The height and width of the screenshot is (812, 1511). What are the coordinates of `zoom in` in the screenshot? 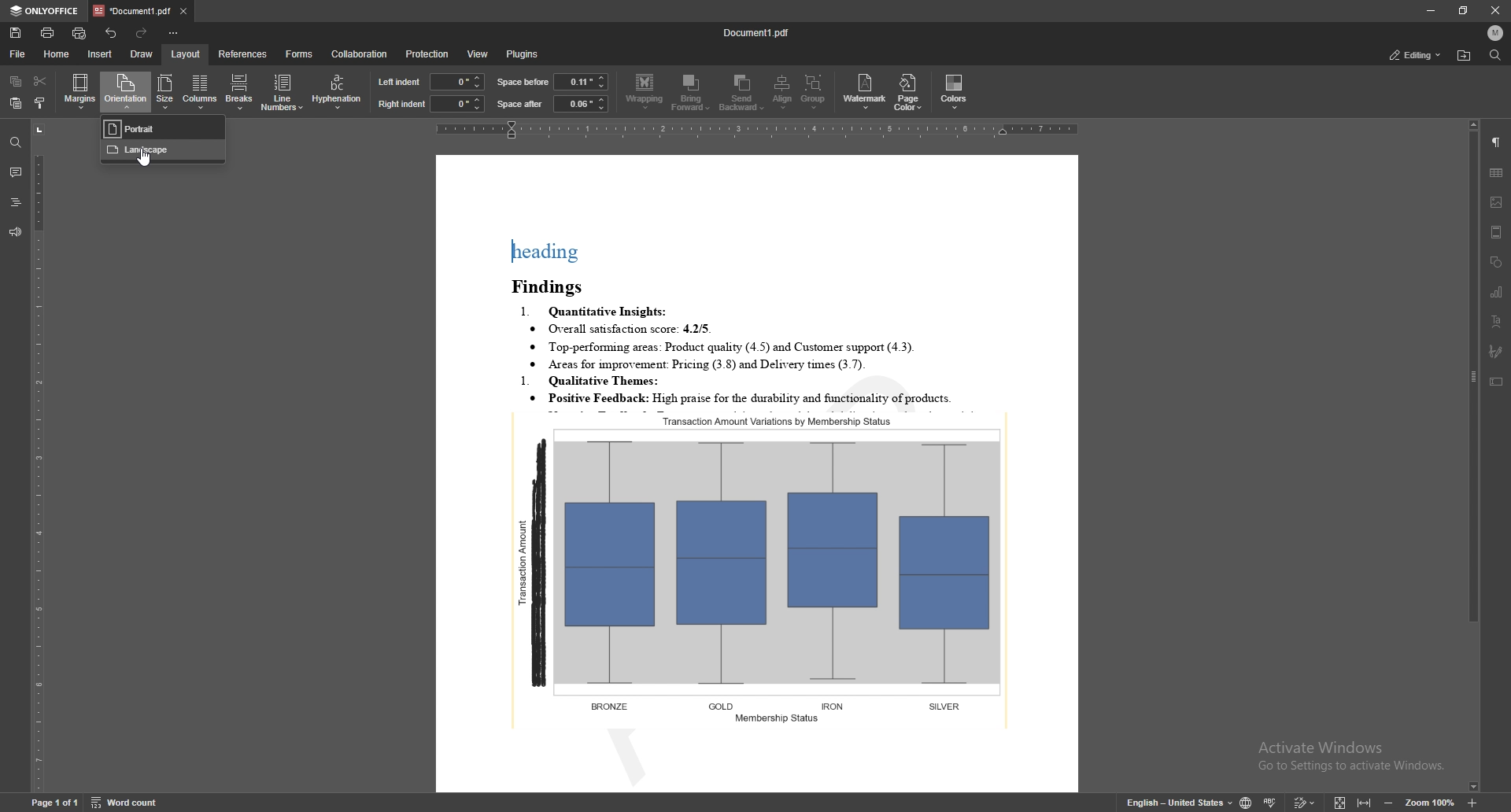 It's located at (1472, 803).